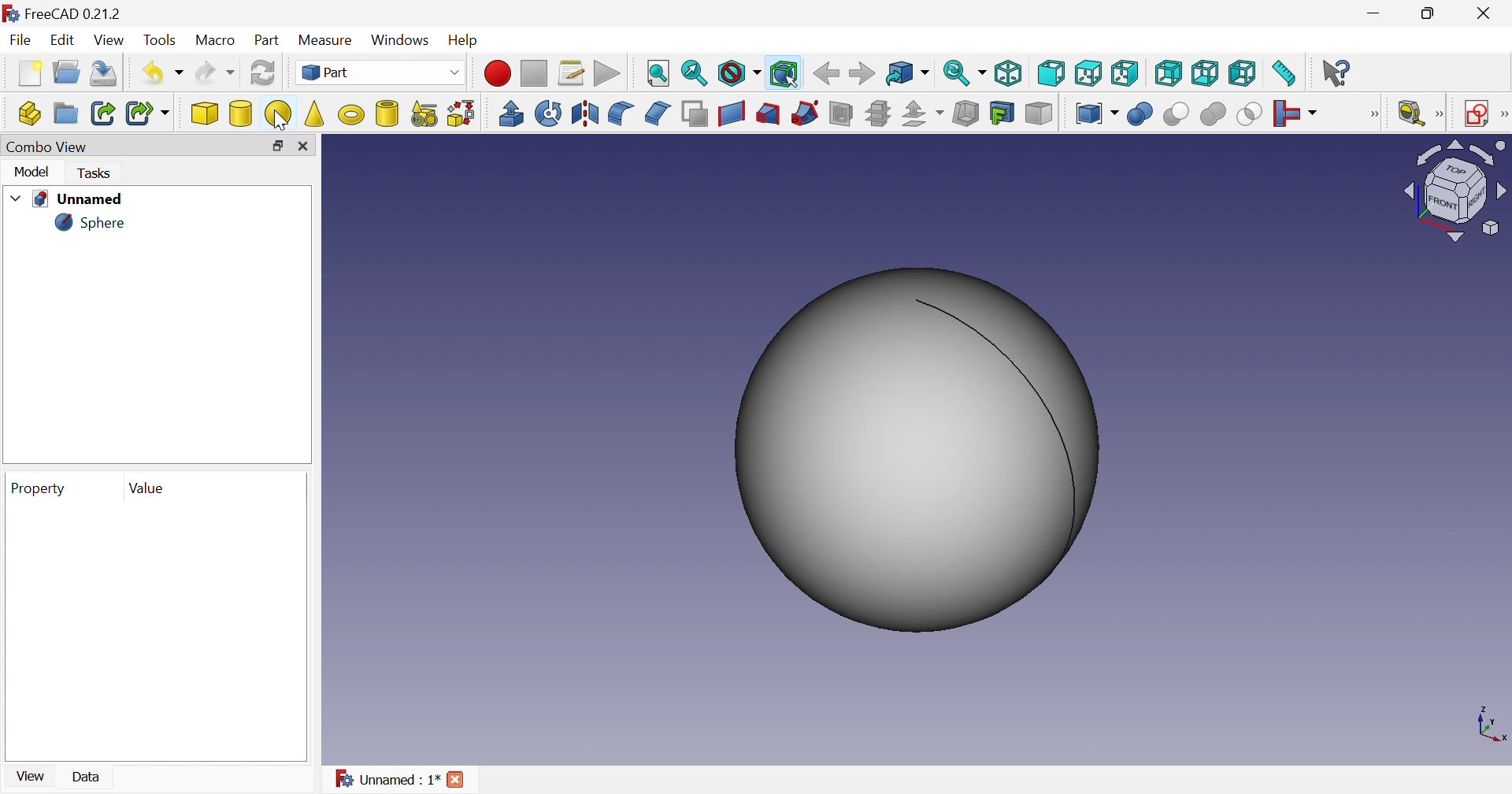 The width and height of the screenshot is (1512, 794). I want to click on Compound tools, so click(1097, 113).